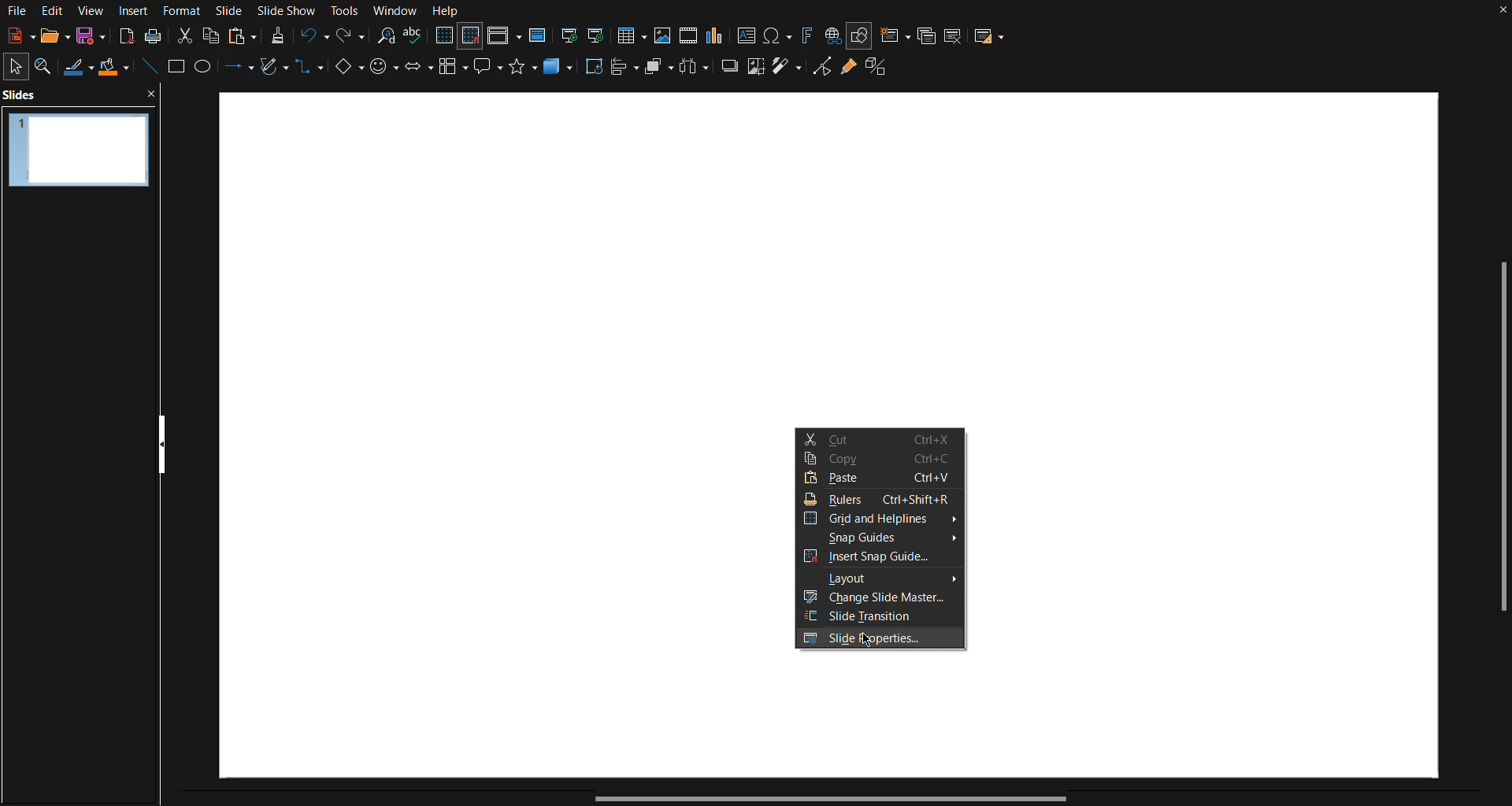  I want to click on Distribute Objects, so click(696, 71).